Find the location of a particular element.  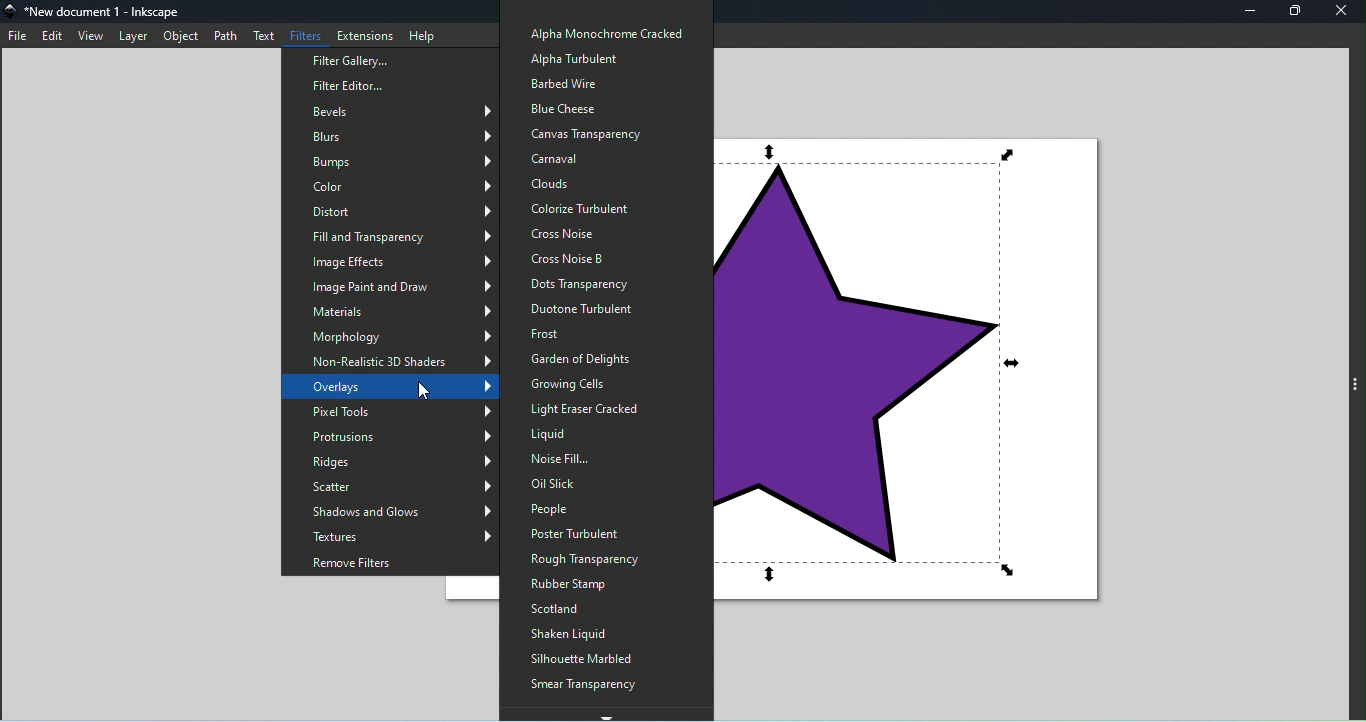

Liquid is located at coordinates (609, 438).